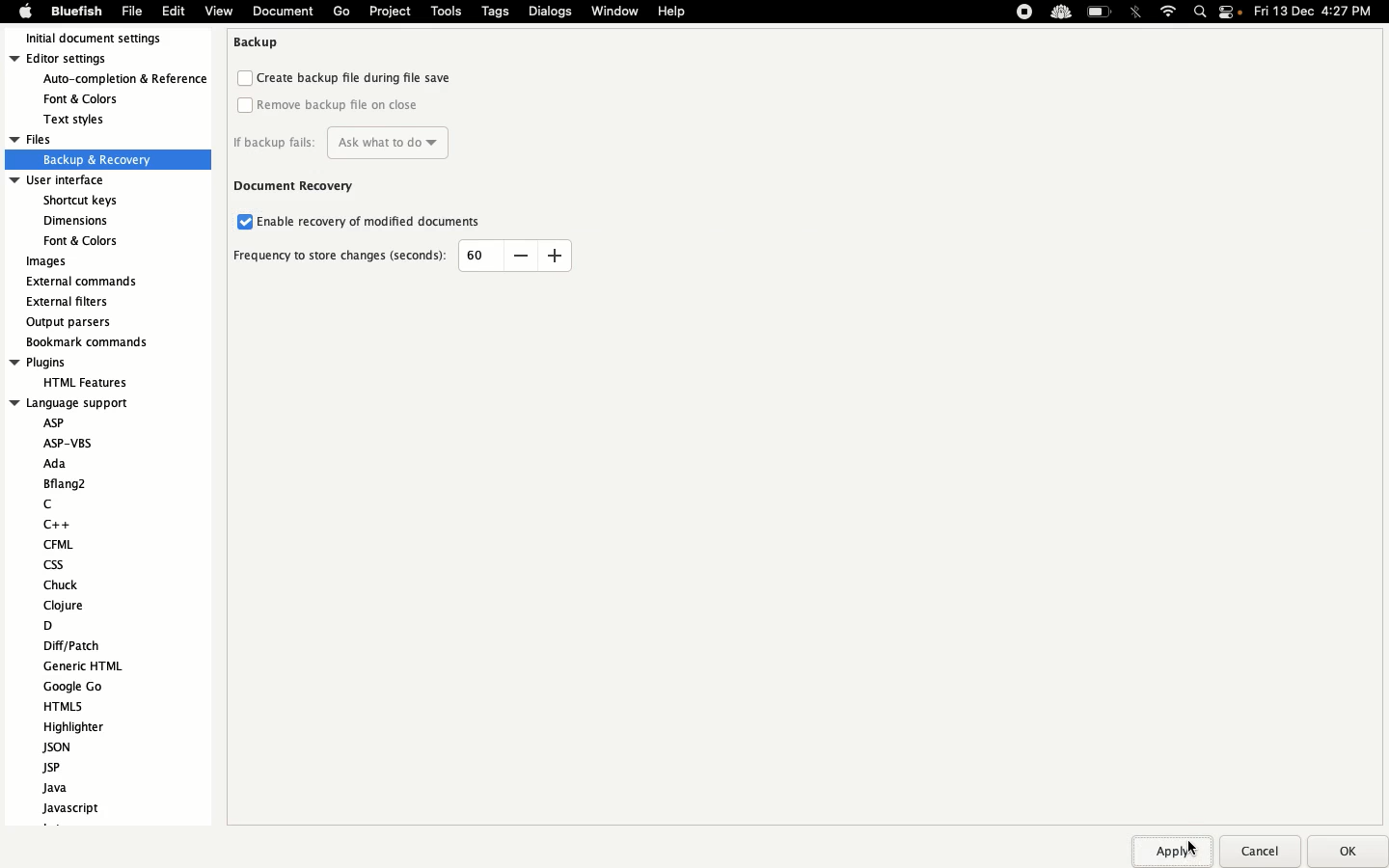  Describe the element at coordinates (342, 12) in the screenshot. I see `Go` at that location.